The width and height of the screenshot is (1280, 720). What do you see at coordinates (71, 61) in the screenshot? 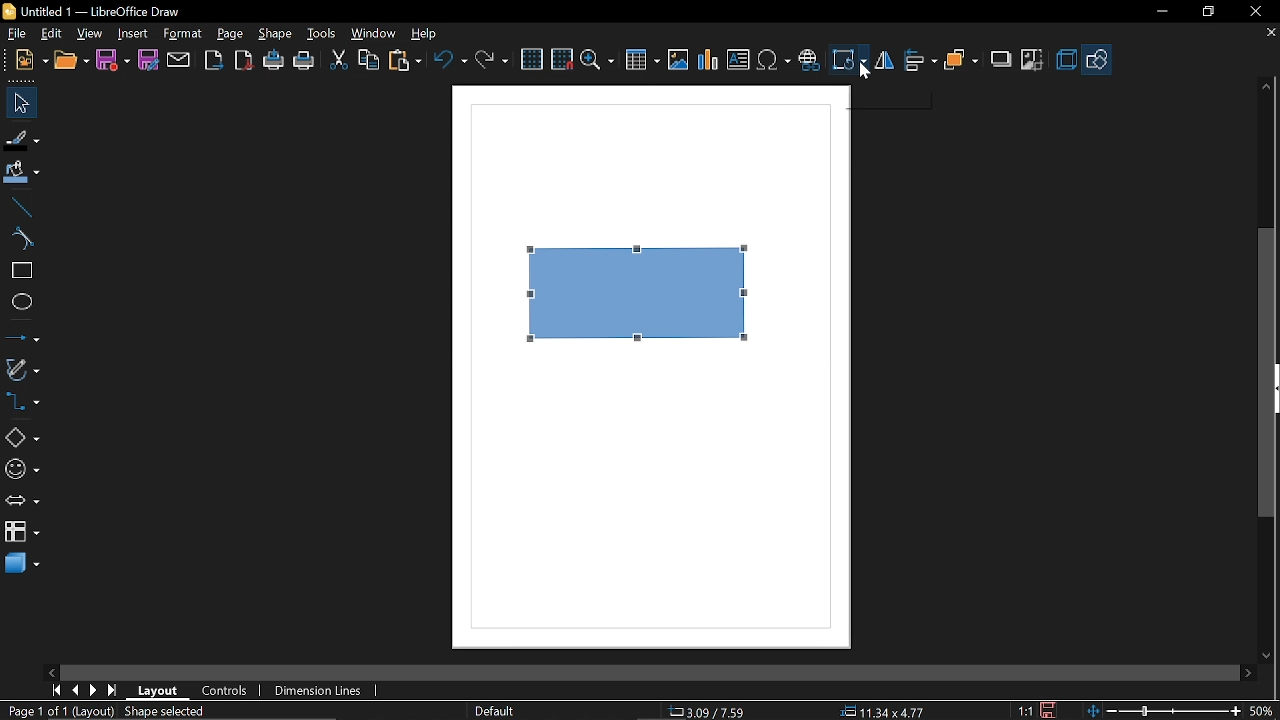
I see `Open` at bounding box center [71, 61].